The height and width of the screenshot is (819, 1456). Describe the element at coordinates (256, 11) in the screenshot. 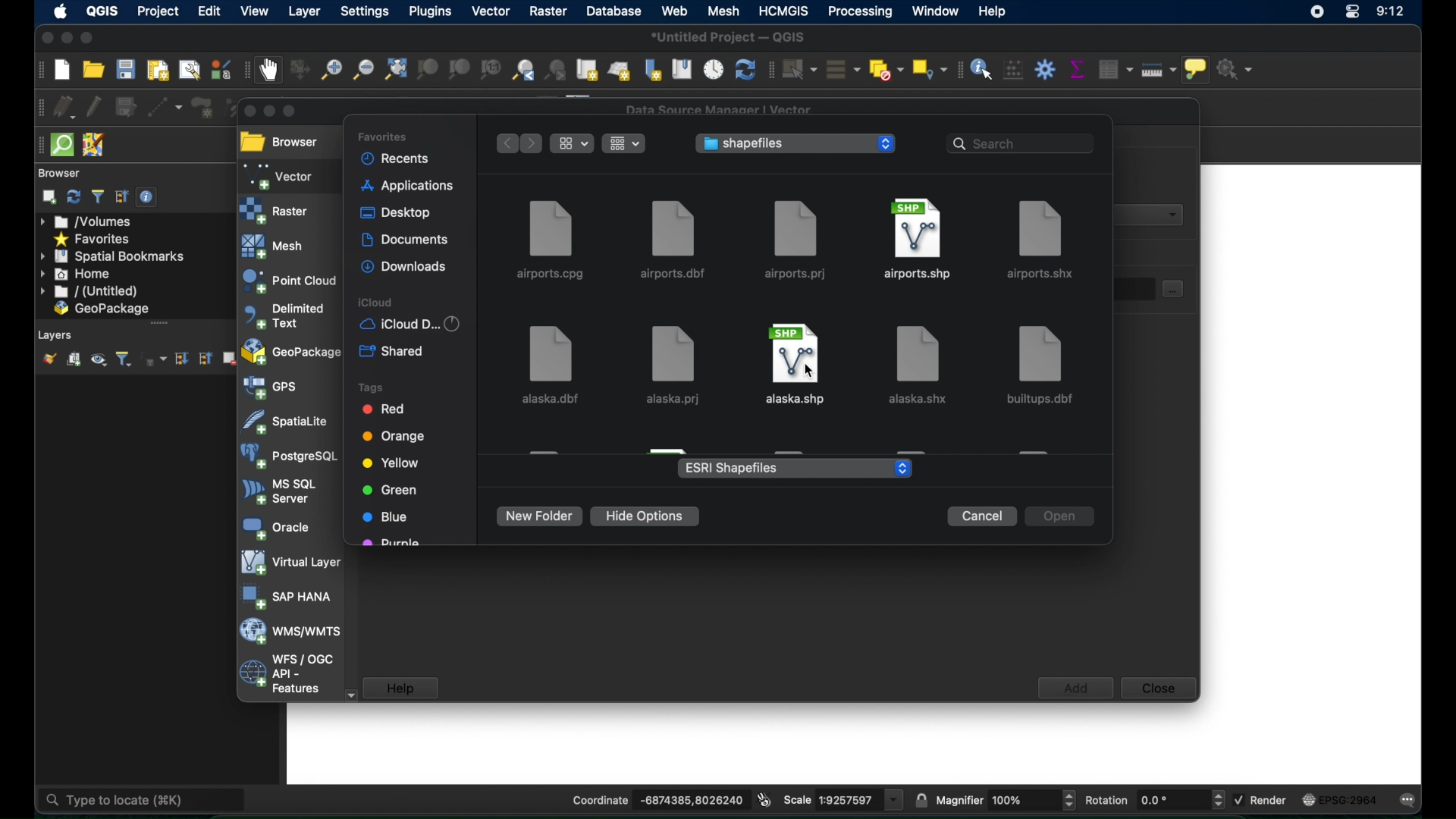

I see `view` at that location.